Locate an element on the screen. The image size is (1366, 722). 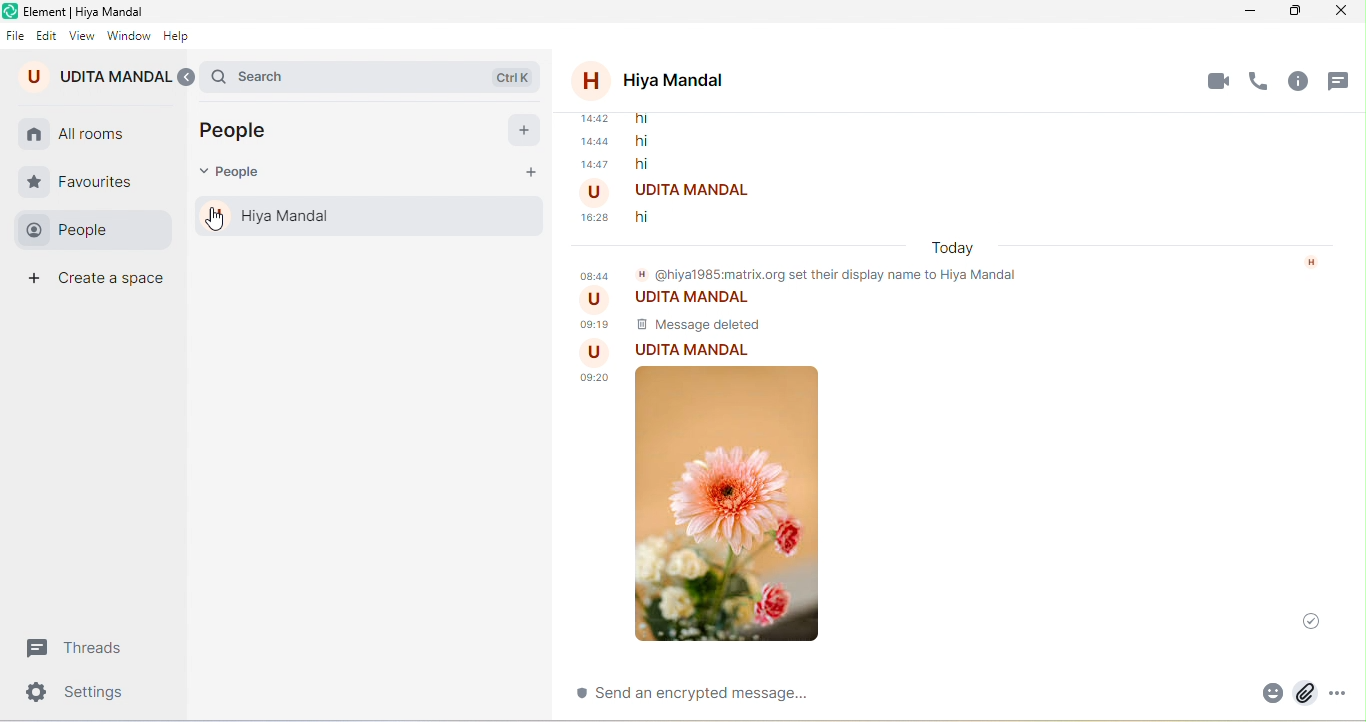
udita mandal is located at coordinates (707, 296).